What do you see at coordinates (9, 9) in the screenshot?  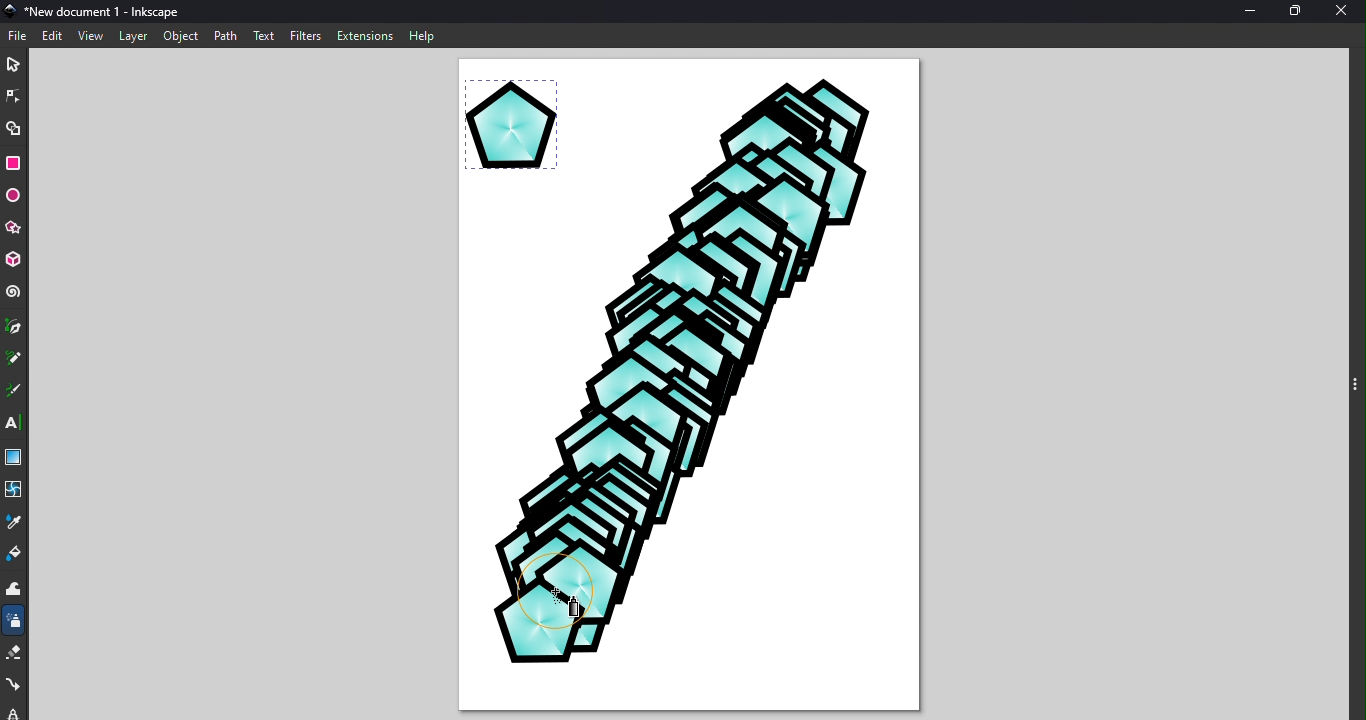 I see `App logo` at bounding box center [9, 9].